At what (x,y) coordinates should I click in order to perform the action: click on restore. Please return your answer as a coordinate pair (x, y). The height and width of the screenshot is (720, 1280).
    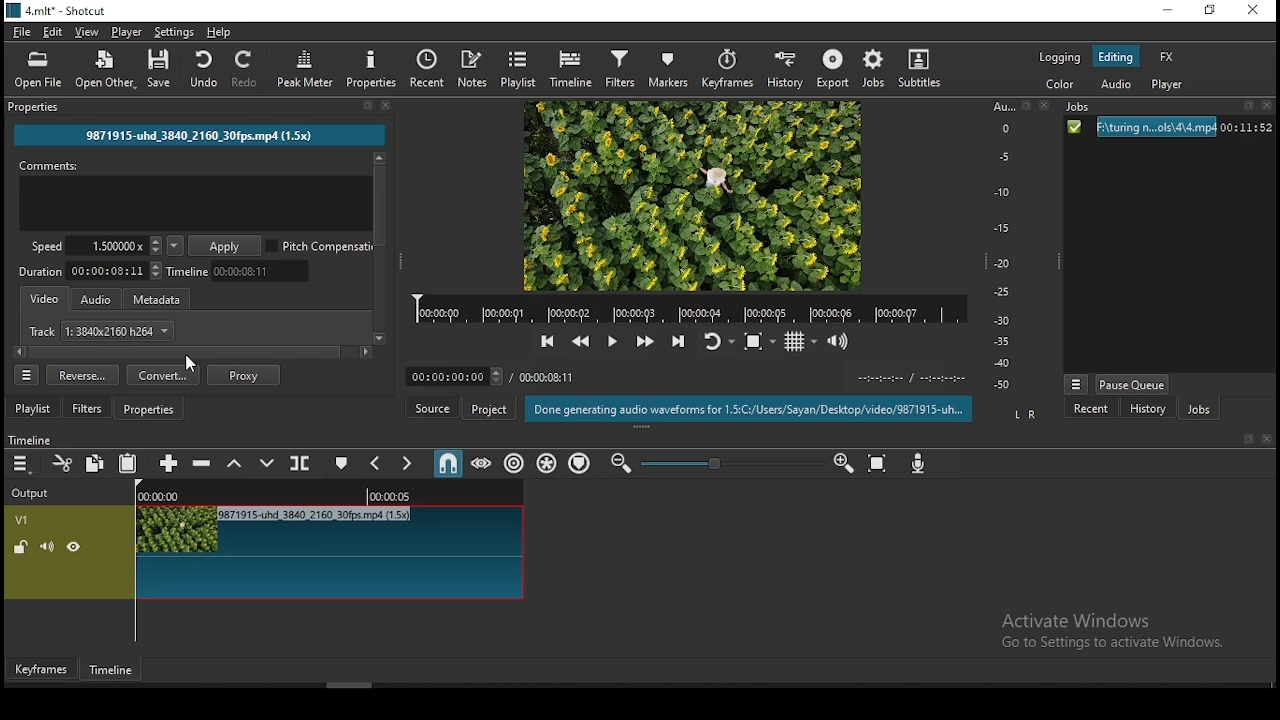
    Looking at the image, I should click on (1213, 12).